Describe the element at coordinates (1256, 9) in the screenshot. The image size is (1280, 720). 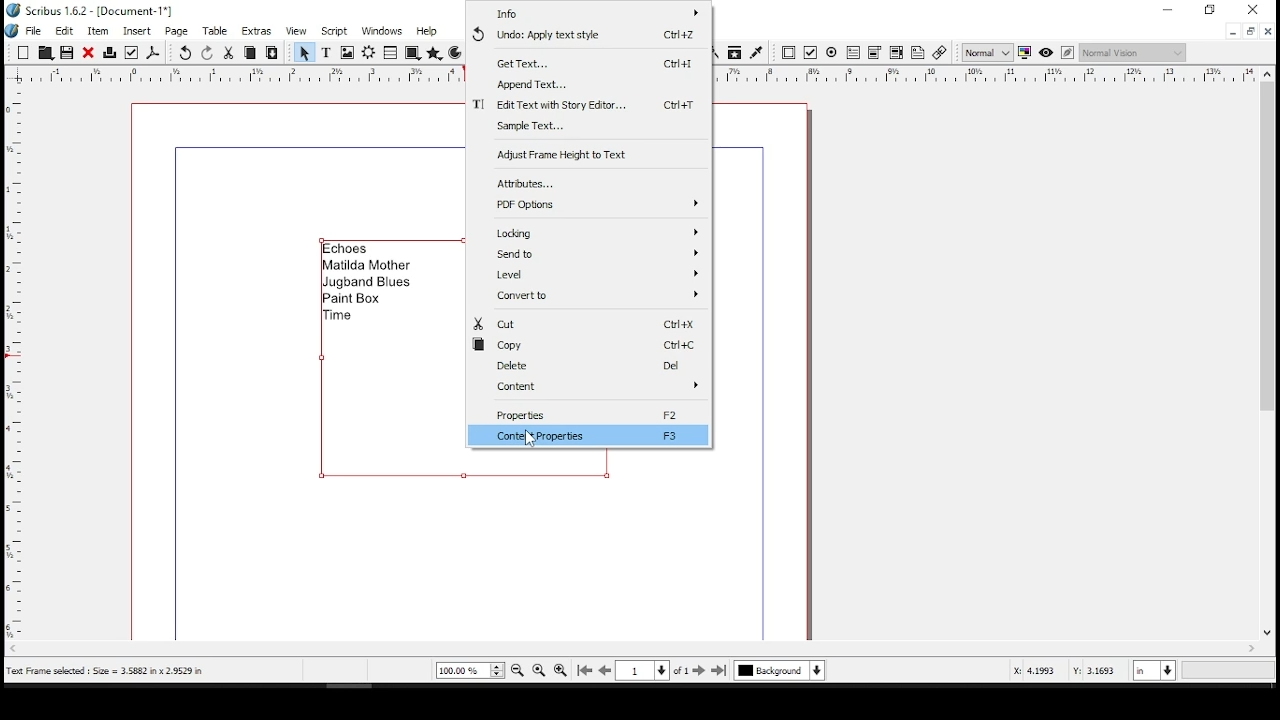
I see `close window` at that location.